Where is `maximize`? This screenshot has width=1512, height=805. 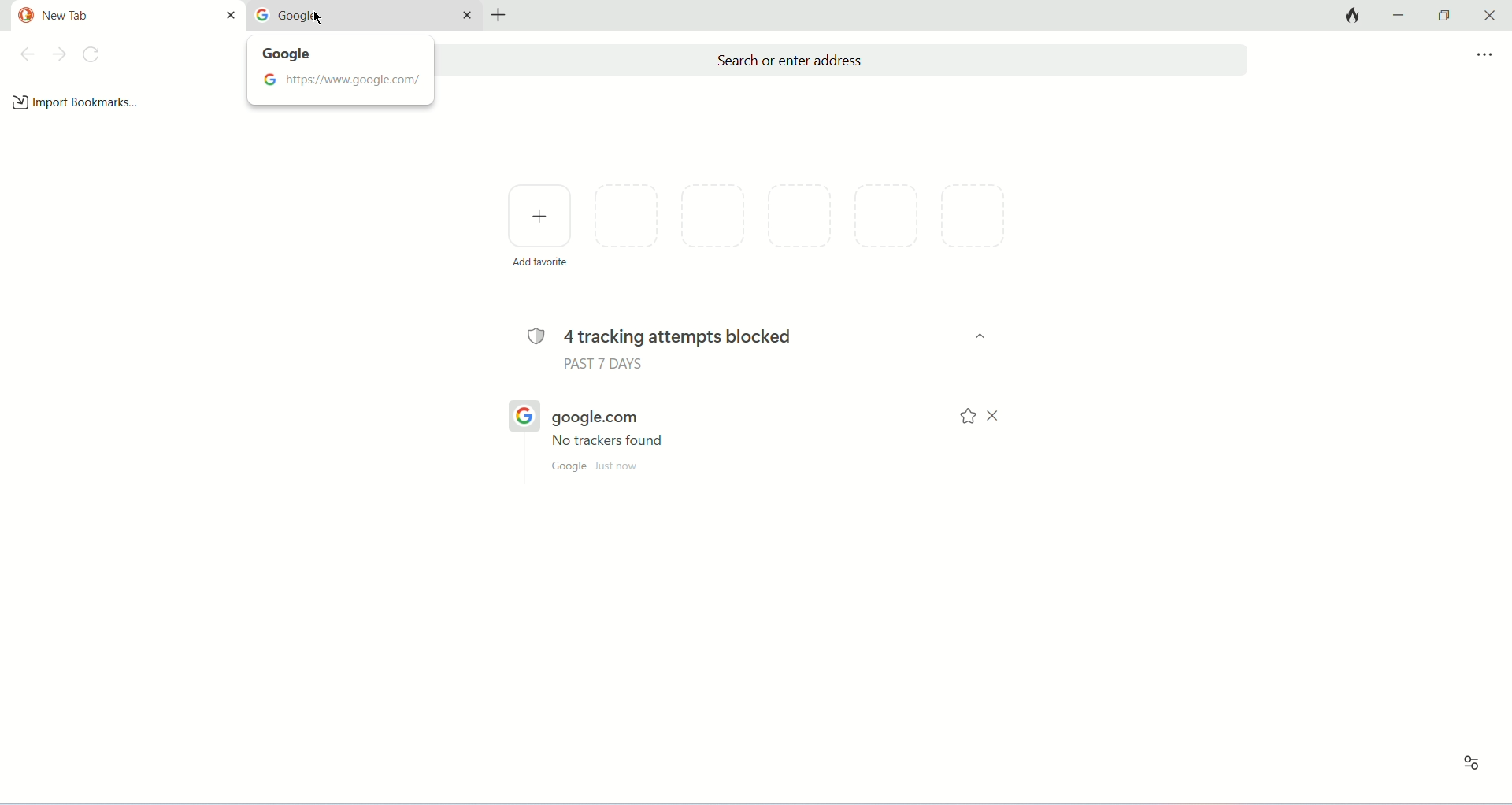
maximize is located at coordinates (1442, 13).